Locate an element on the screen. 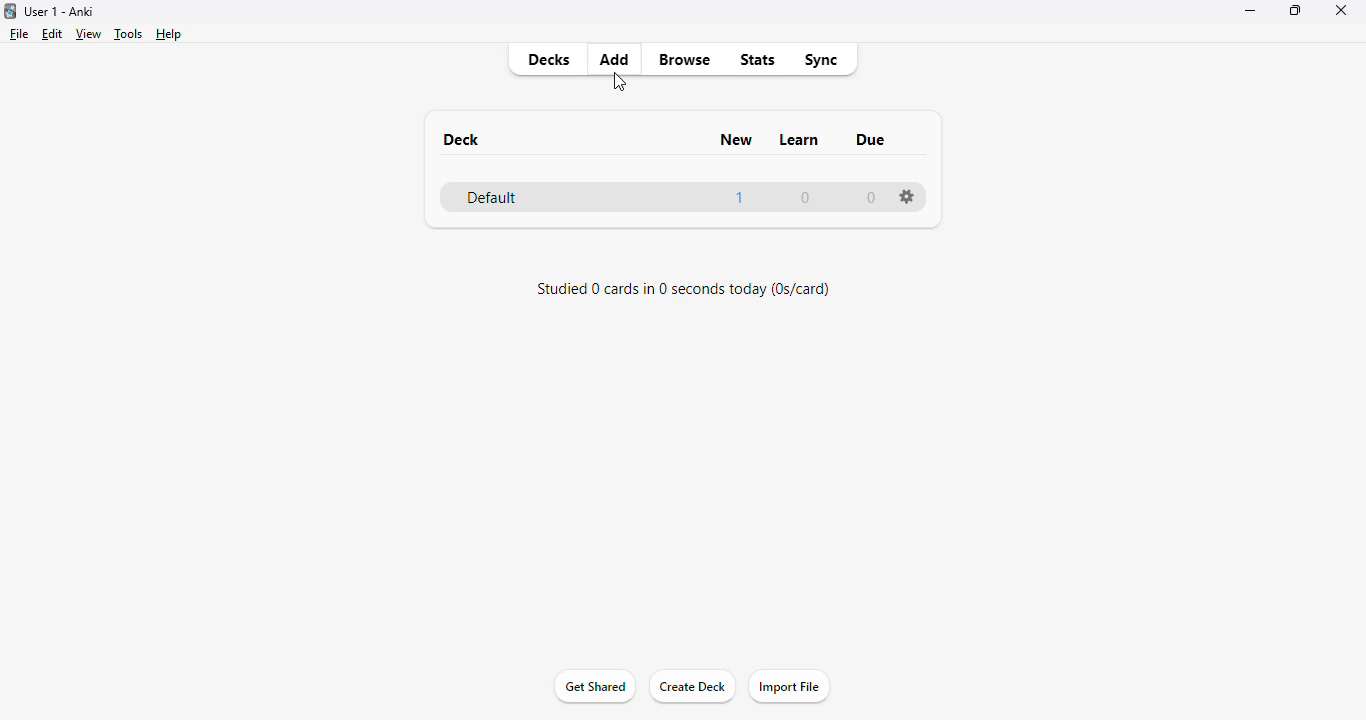  settings is located at coordinates (907, 196).